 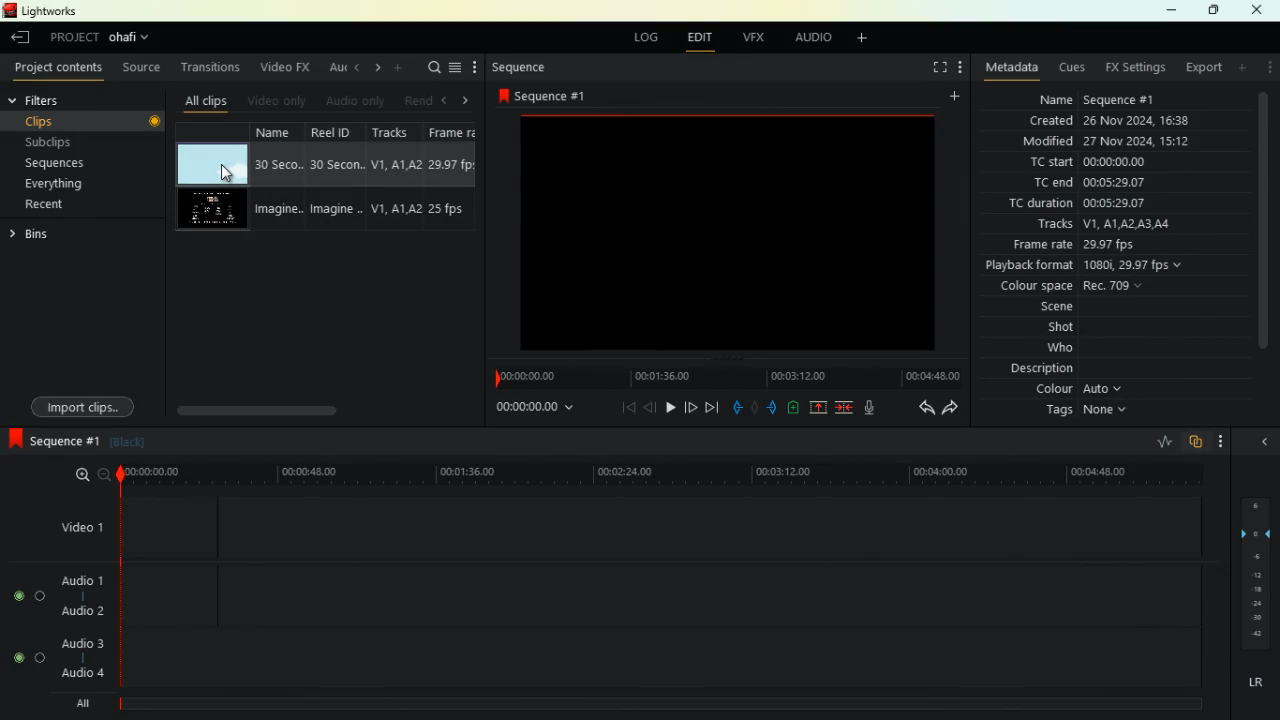 I want to click on merge, so click(x=845, y=409).